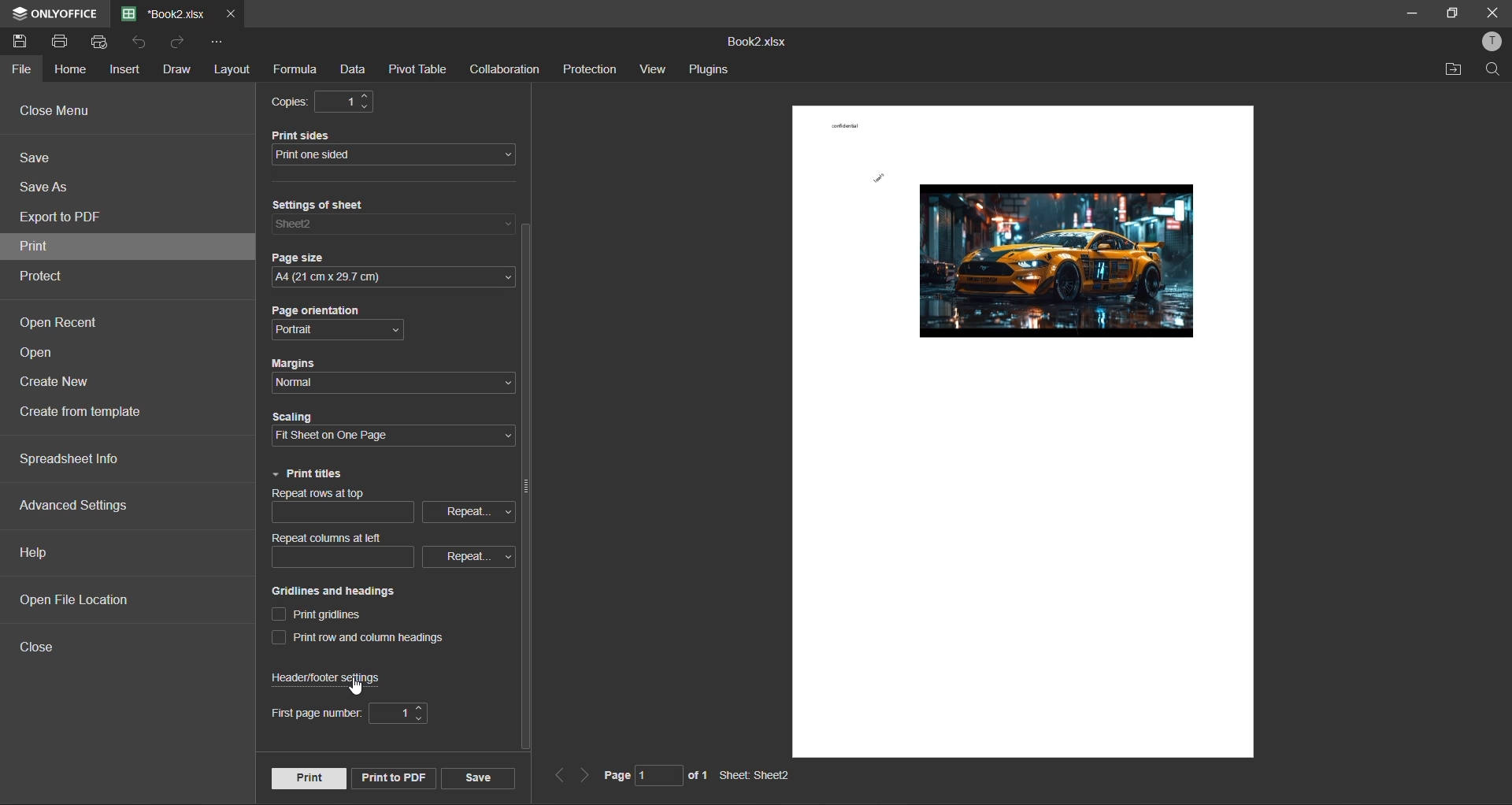 The width and height of the screenshot is (1512, 805). Describe the element at coordinates (305, 134) in the screenshot. I see `Print sides` at that location.